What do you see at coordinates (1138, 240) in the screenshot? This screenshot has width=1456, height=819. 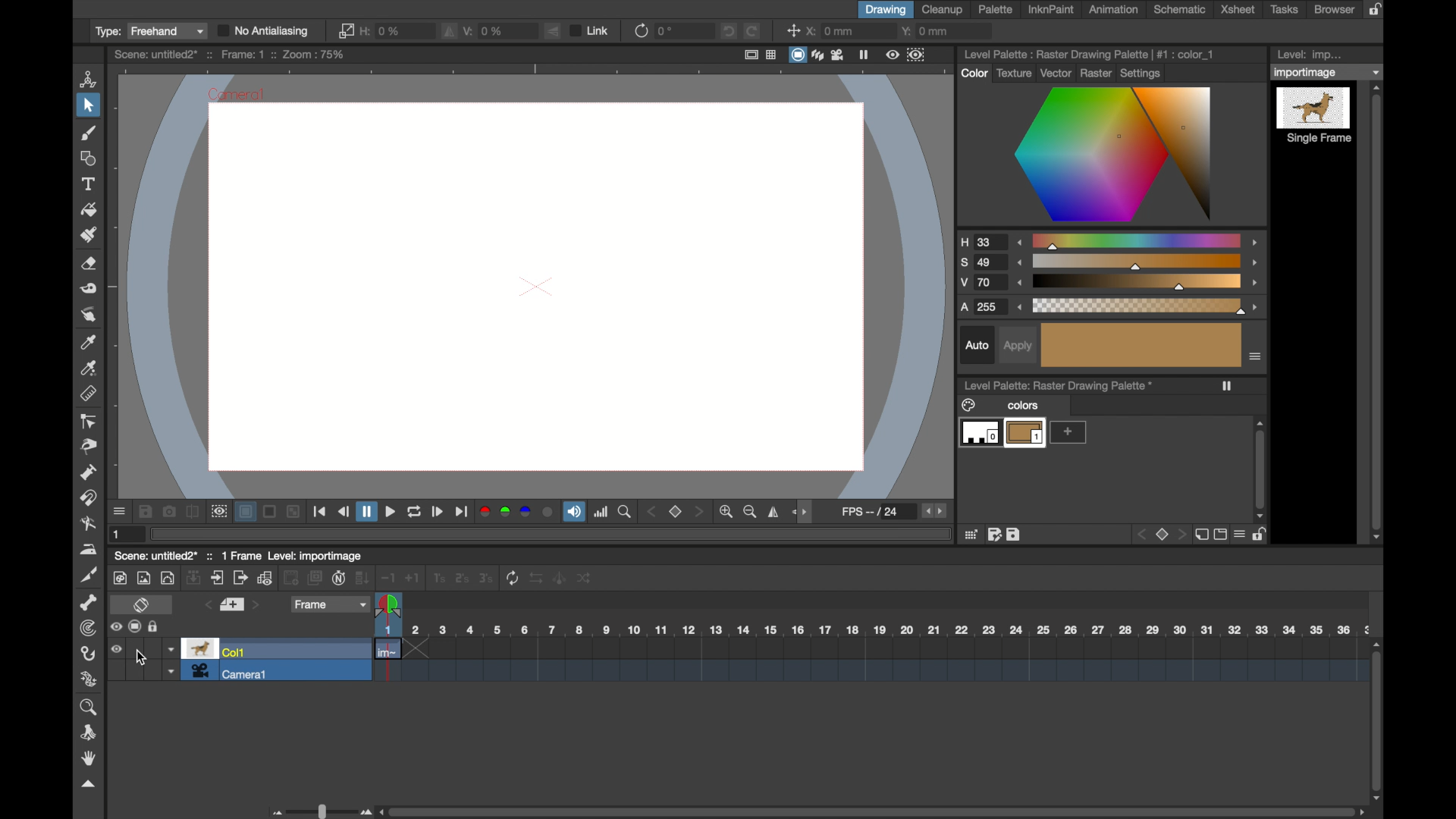 I see `scale` at bounding box center [1138, 240].